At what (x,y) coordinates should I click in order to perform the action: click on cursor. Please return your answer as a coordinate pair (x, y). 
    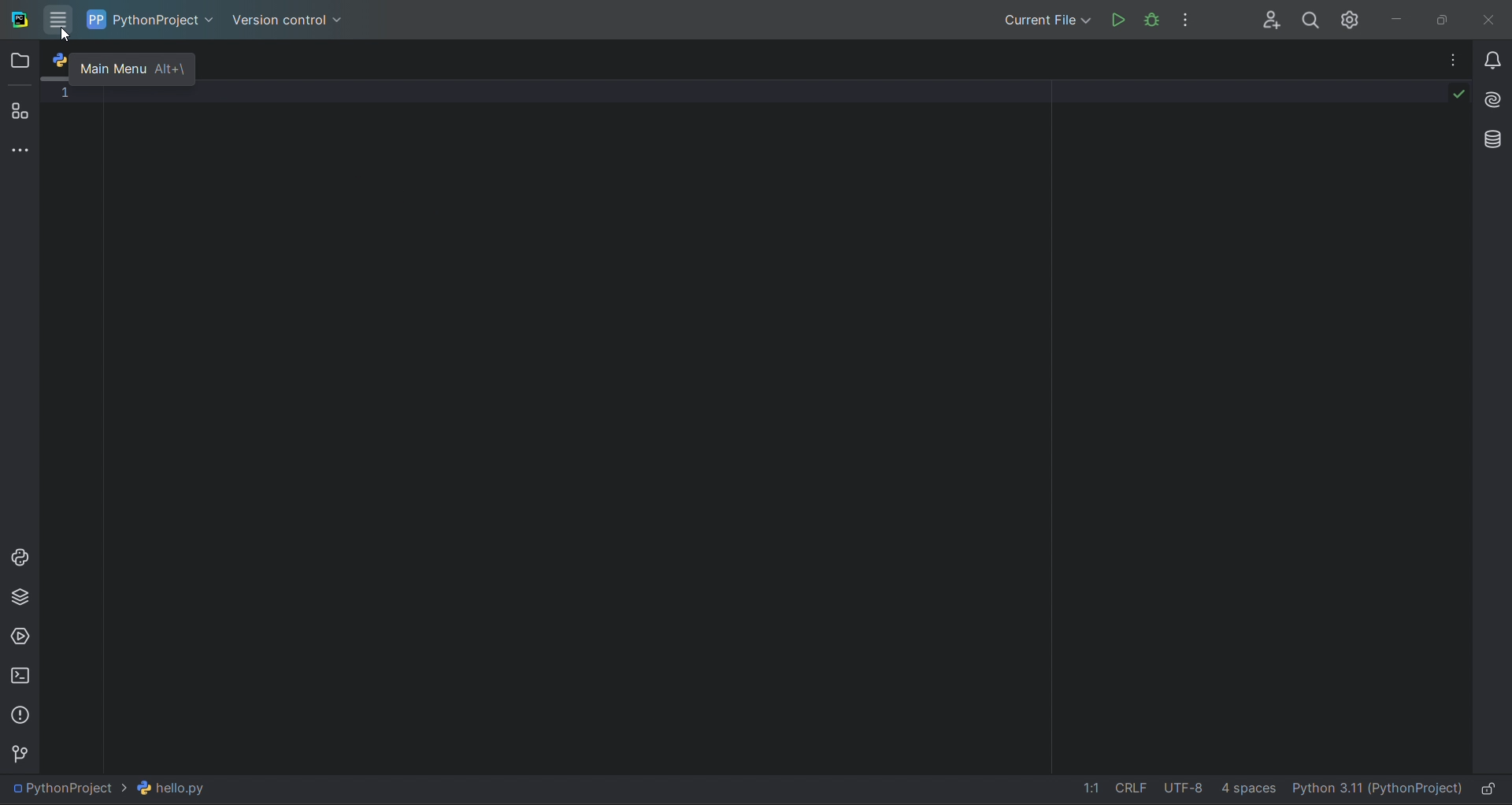
    Looking at the image, I should click on (65, 35).